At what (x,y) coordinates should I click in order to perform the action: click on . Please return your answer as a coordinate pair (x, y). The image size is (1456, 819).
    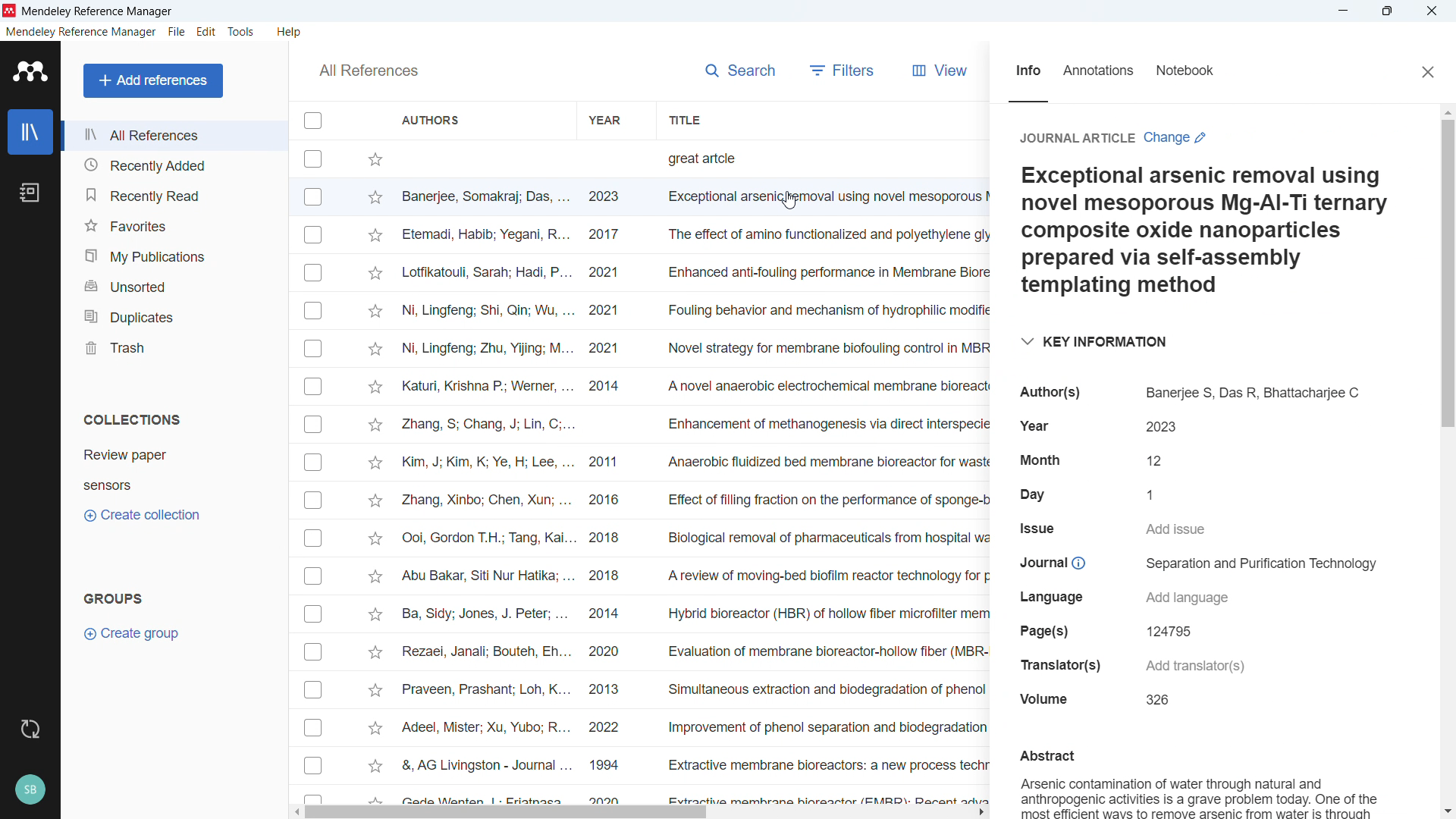
    Looking at the image, I should click on (30, 730).